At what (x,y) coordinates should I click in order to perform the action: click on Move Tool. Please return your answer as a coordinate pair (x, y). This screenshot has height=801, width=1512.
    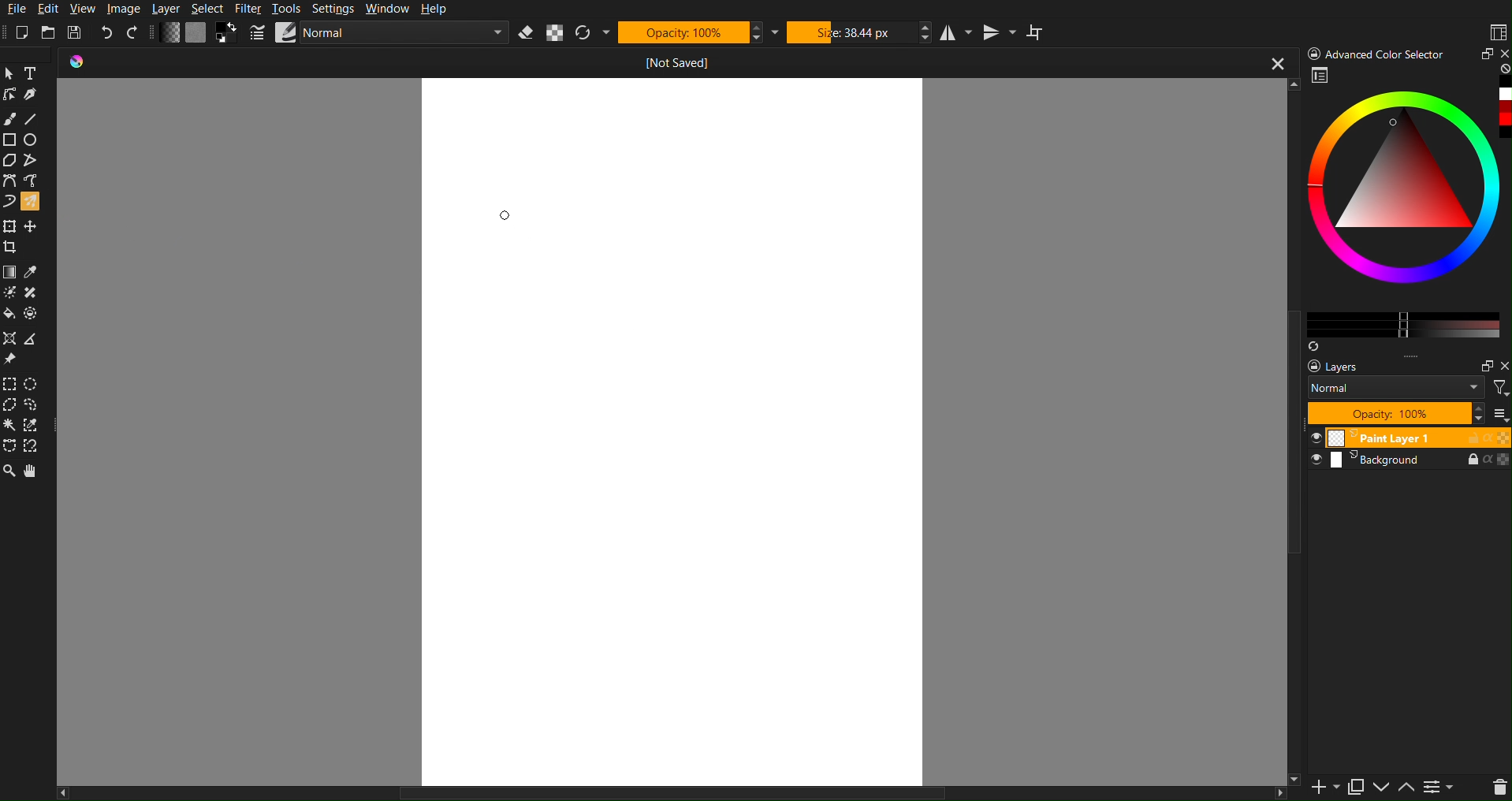
    Looking at the image, I should click on (34, 225).